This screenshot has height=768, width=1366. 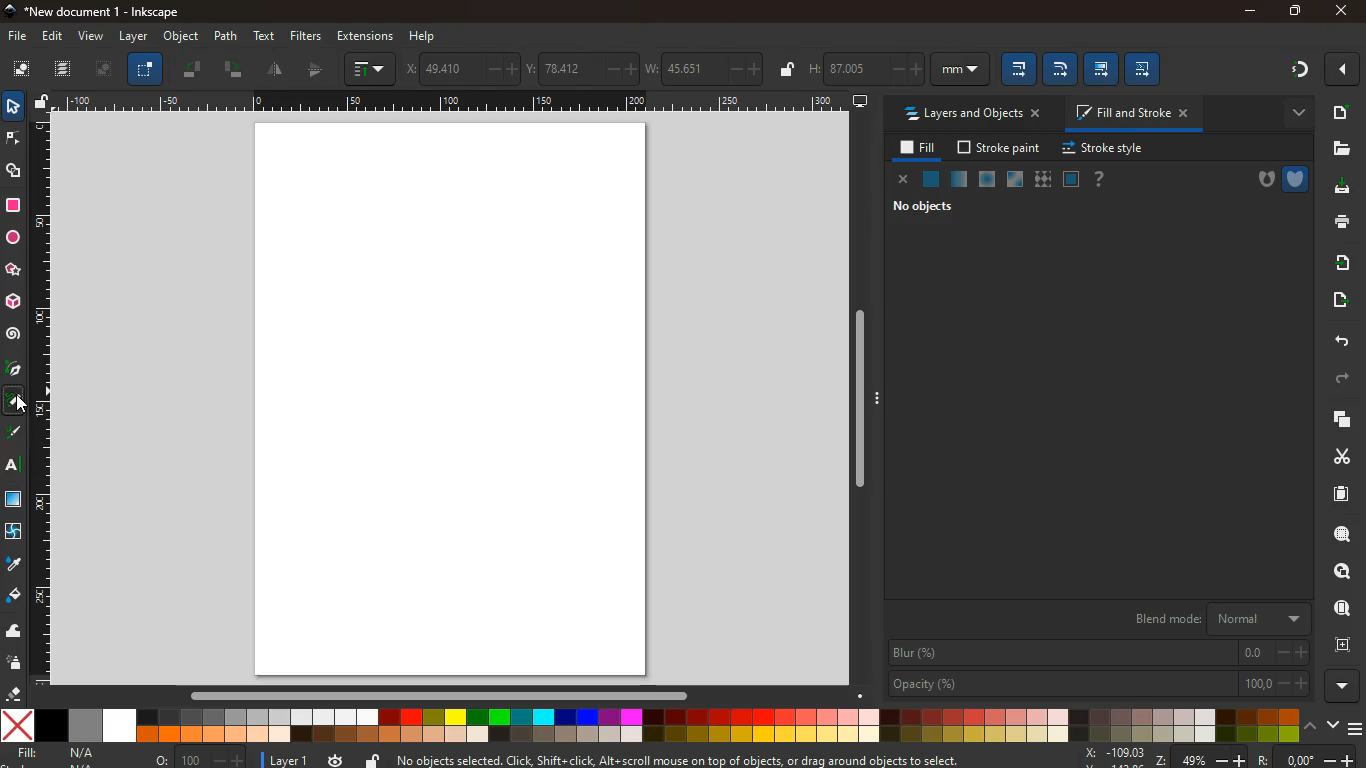 What do you see at coordinates (365, 36) in the screenshot?
I see `extensions` at bounding box center [365, 36].